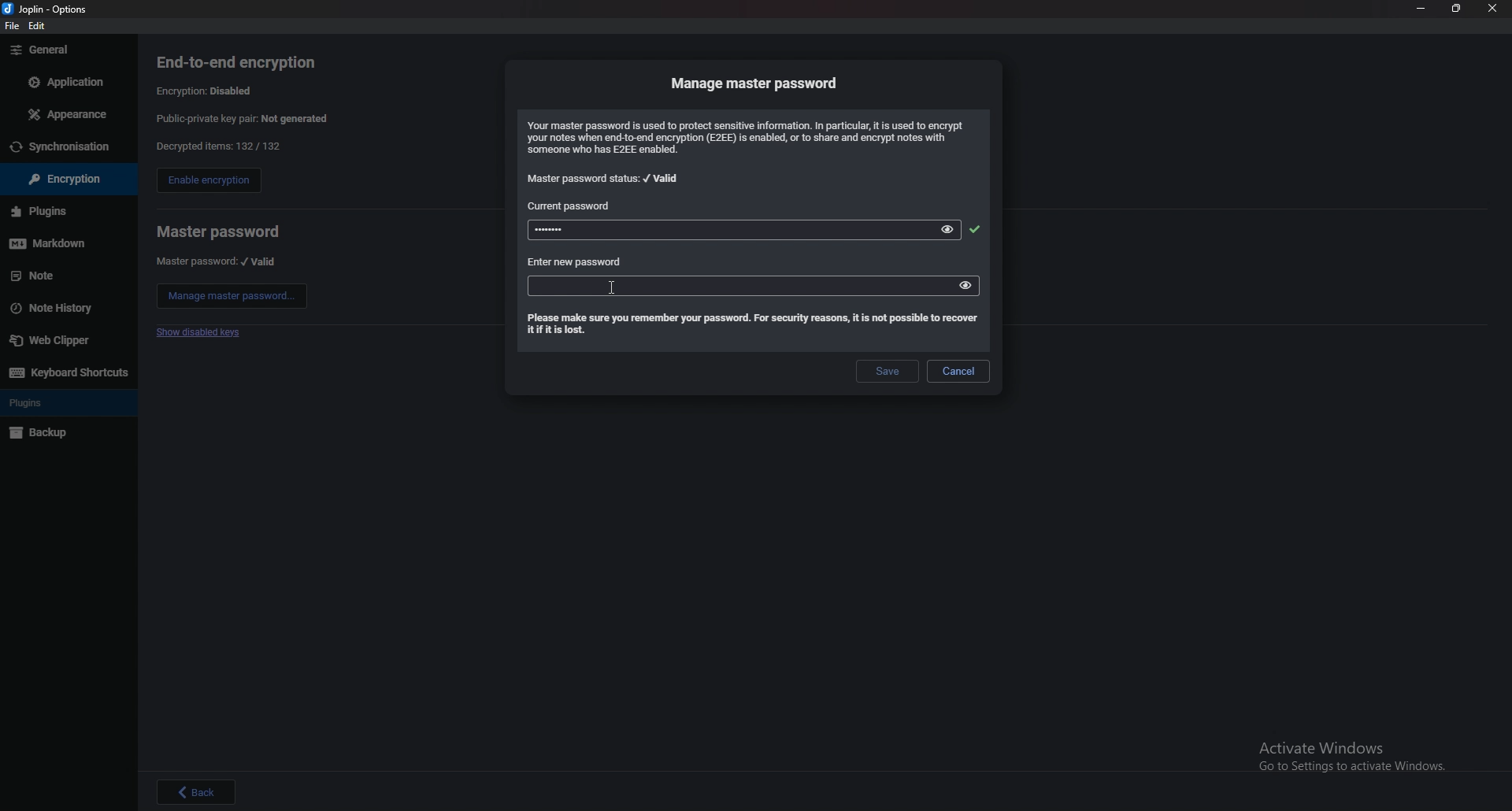 The width and height of the screenshot is (1512, 811). What do you see at coordinates (573, 206) in the screenshot?
I see `current password` at bounding box center [573, 206].